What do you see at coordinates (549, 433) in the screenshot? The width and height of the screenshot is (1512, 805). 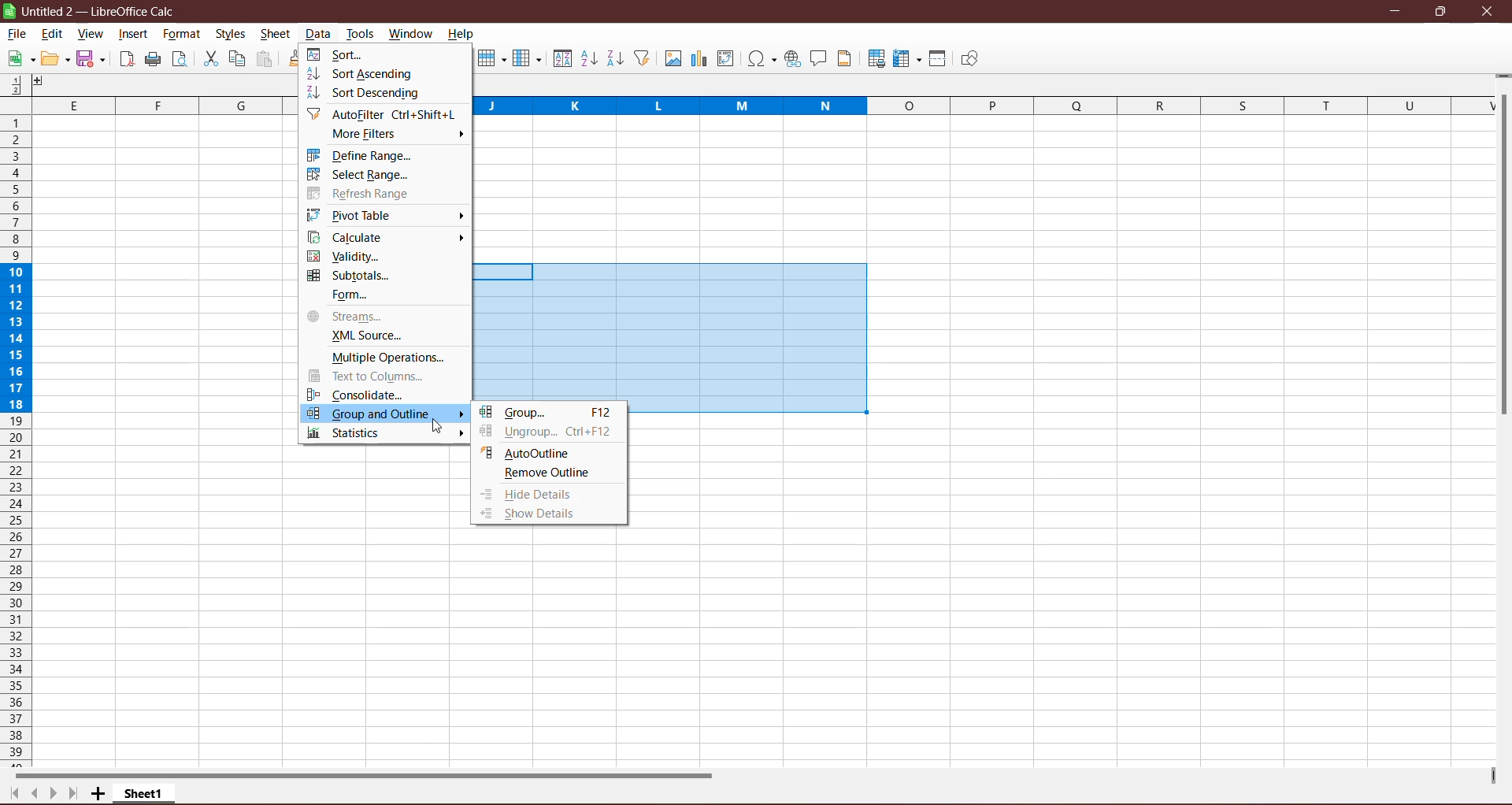 I see `Ungroup` at bounding box center [549, 433].